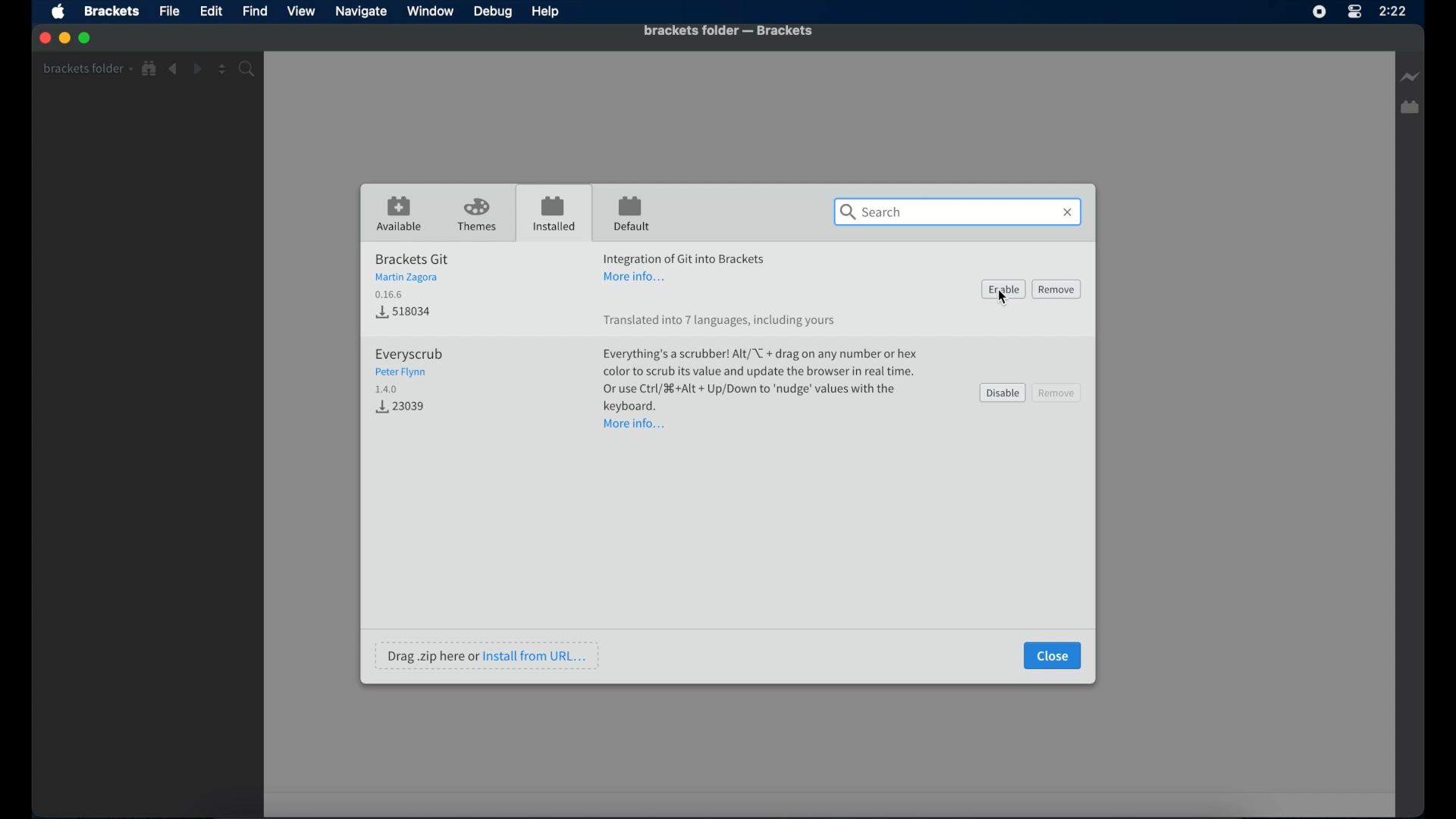 The image size is (1456, 819). Describe the element at coordinates (301, 11) in the screenshot. I see `view` at that location.